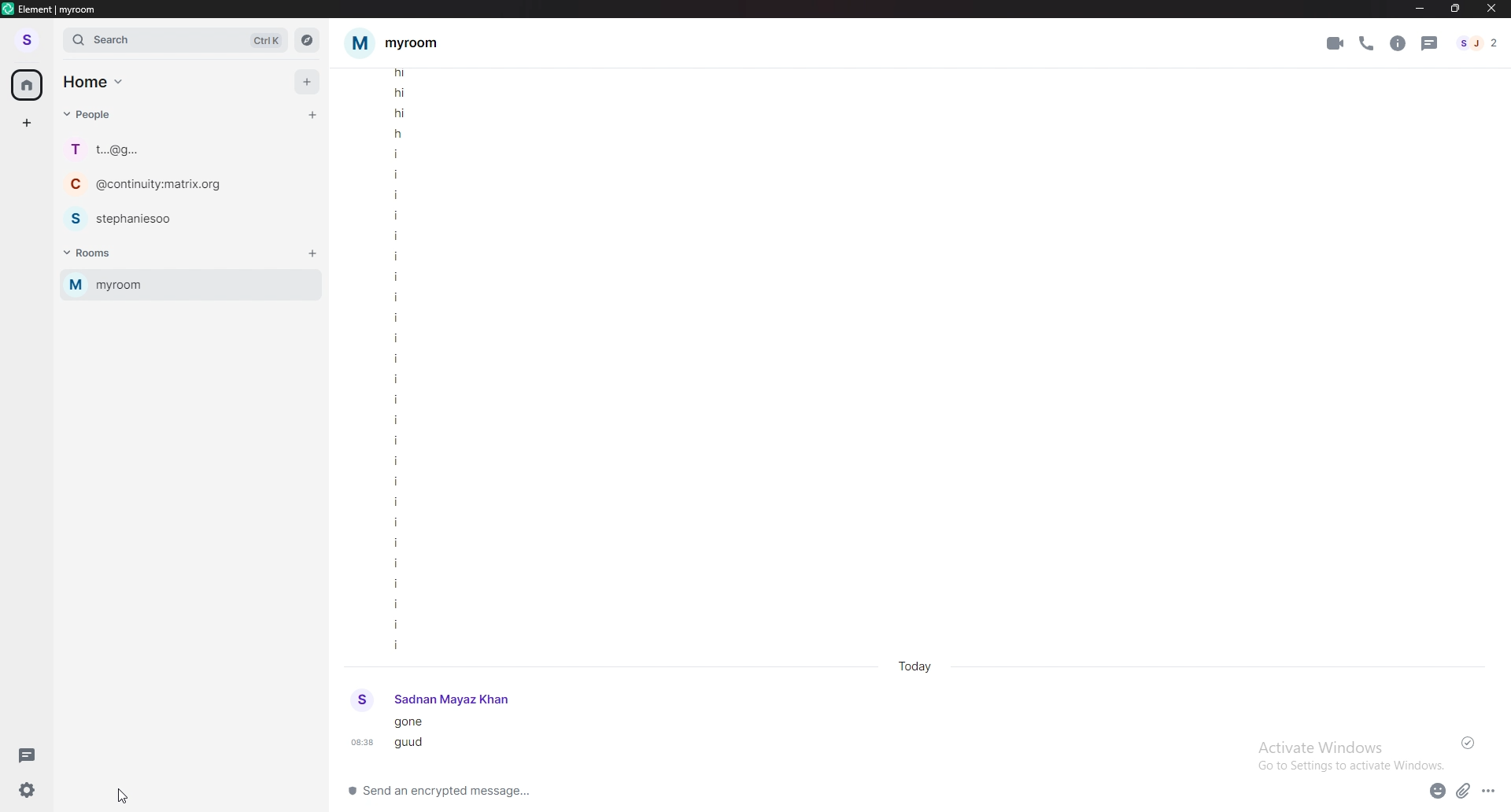 This screenshot has width=1511, height=812. What do you see at coordinates (312, 253) in the screenshot?
I see `add room` at bounding box center [312, 253].